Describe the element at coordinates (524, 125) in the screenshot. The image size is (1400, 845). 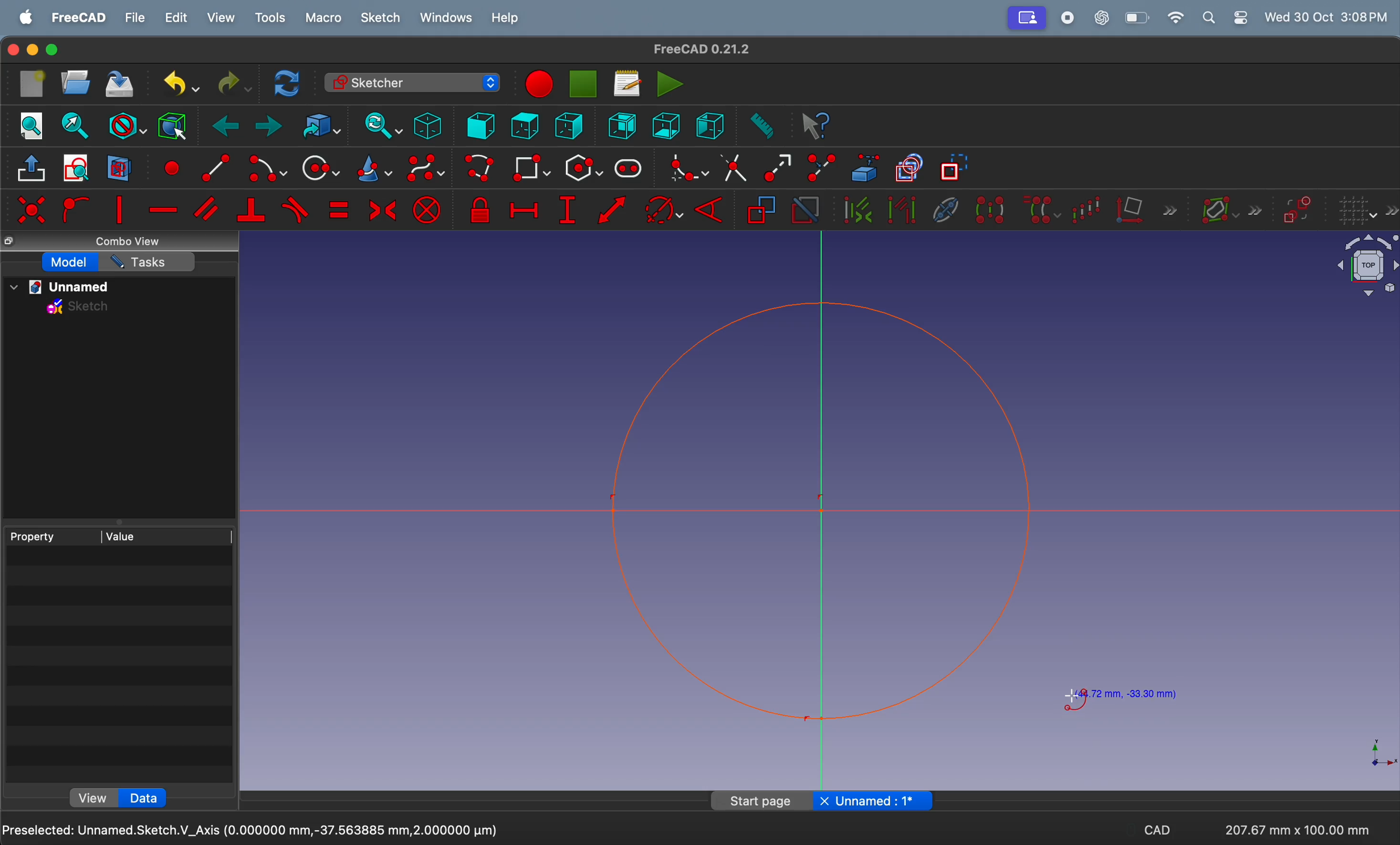
I see `top view` at that location.